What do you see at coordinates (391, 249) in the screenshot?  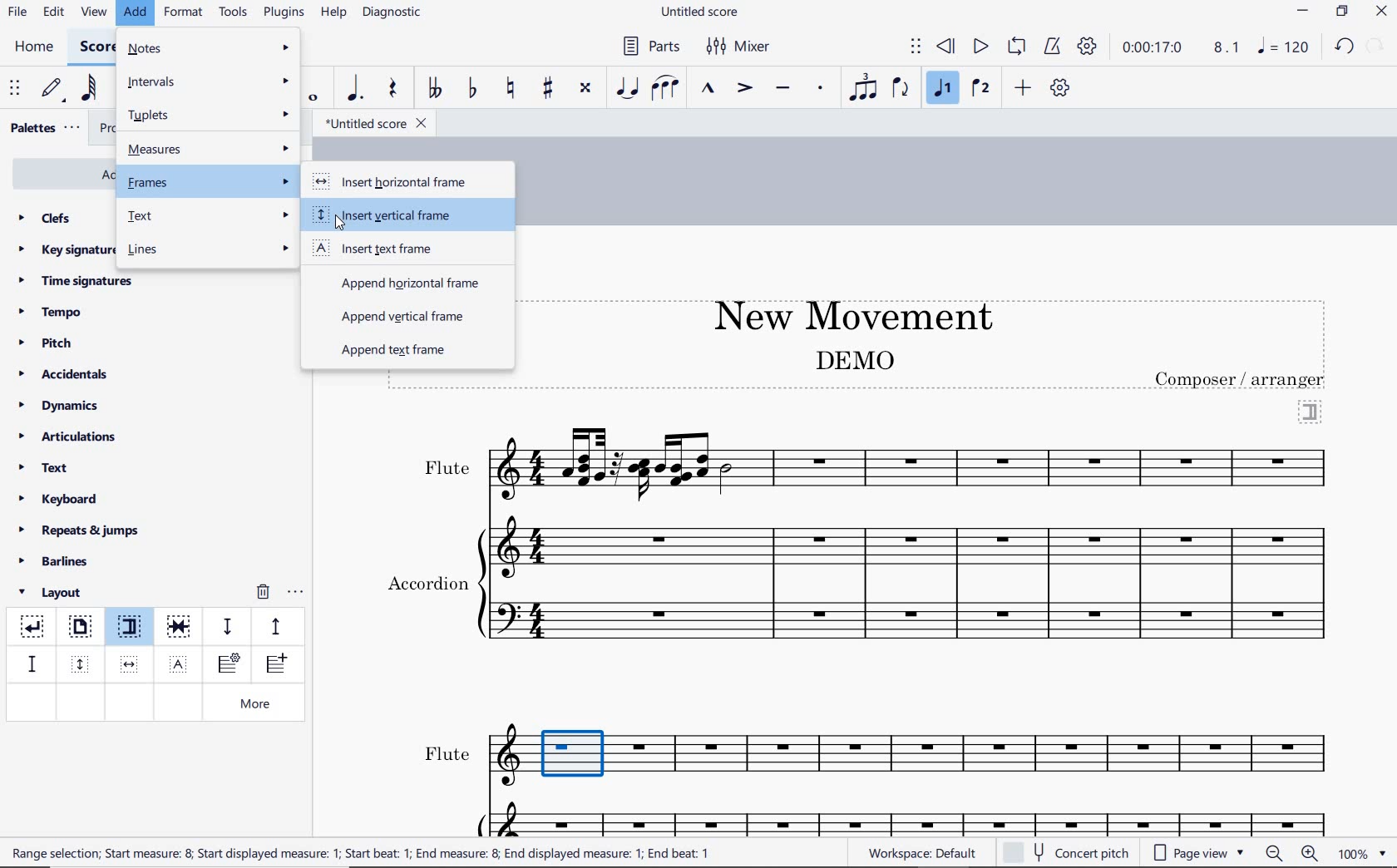 I see `insert text frame` at bounding box center [391, 249].